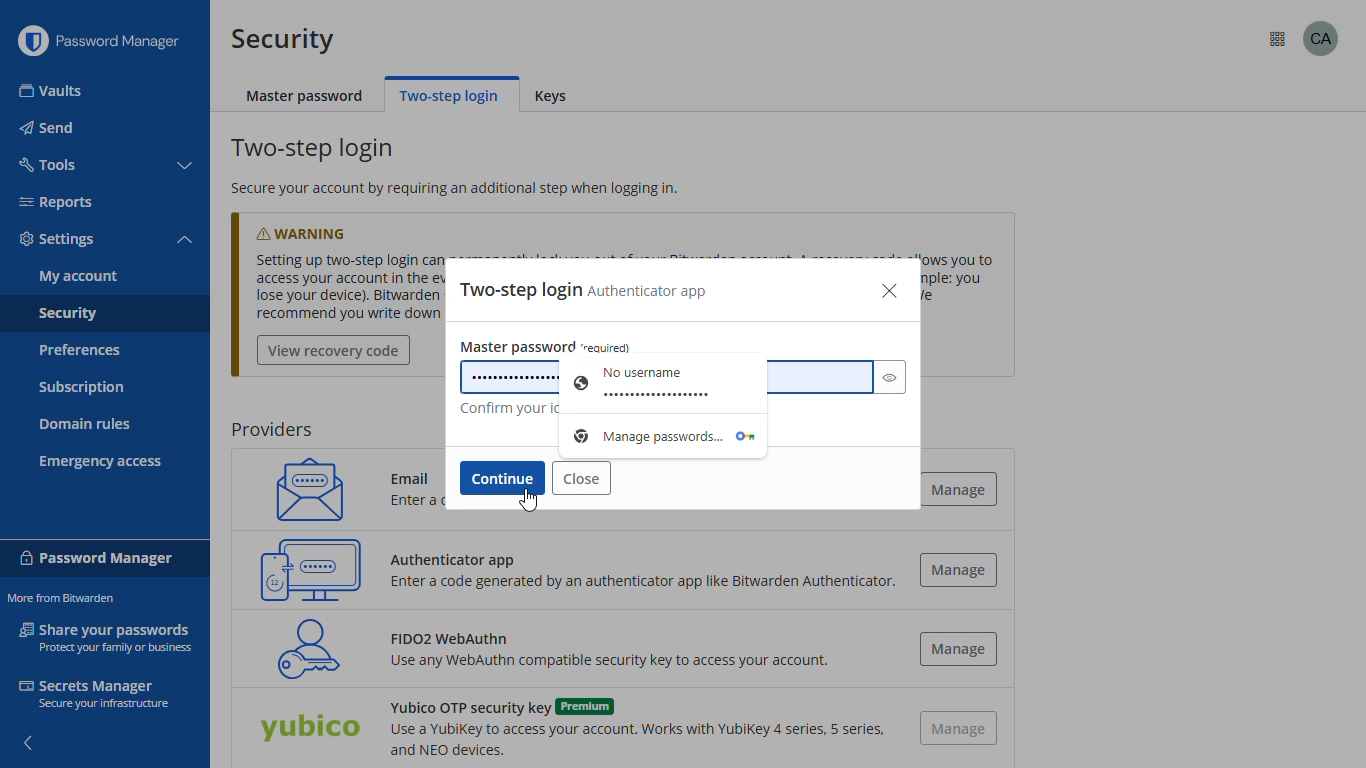 The image size is (1366, 768). What do you see at coordinates (49, 128) in the screenshot?
I see `send` at bounding box center [49, 128].